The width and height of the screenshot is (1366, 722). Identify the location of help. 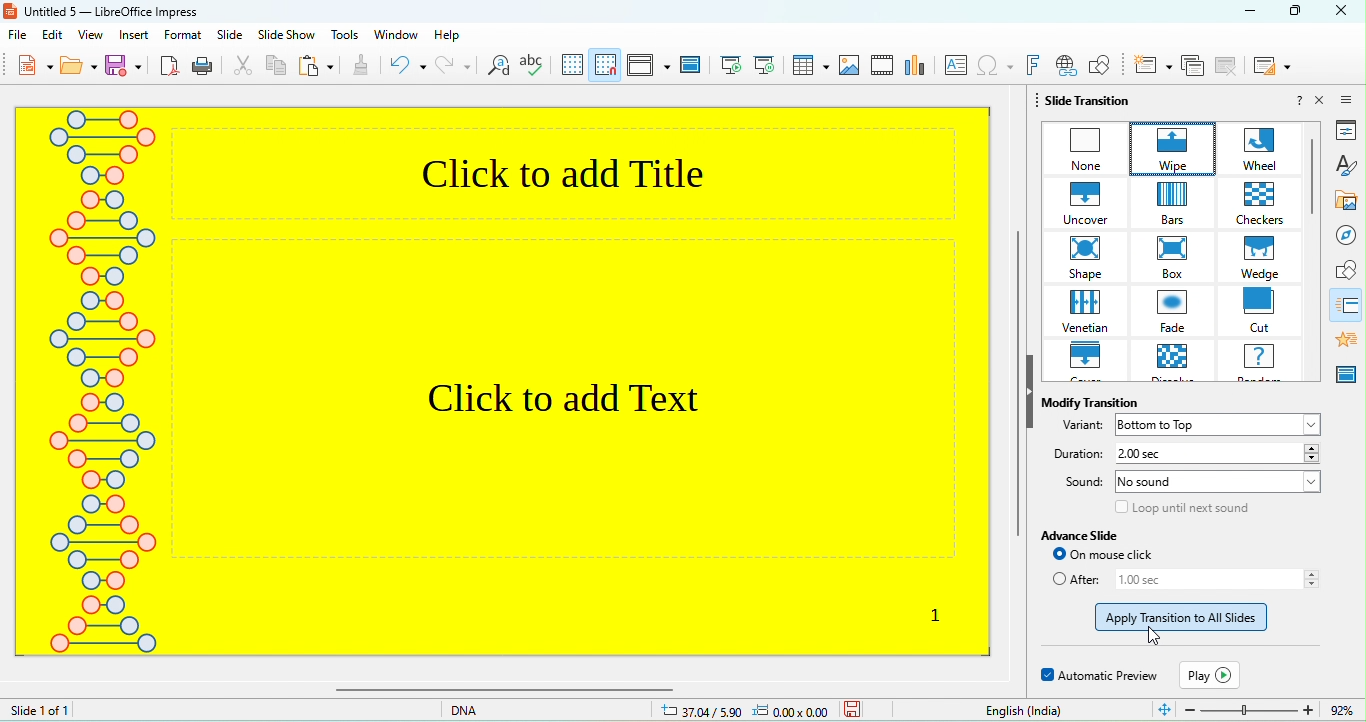
(461, 37).